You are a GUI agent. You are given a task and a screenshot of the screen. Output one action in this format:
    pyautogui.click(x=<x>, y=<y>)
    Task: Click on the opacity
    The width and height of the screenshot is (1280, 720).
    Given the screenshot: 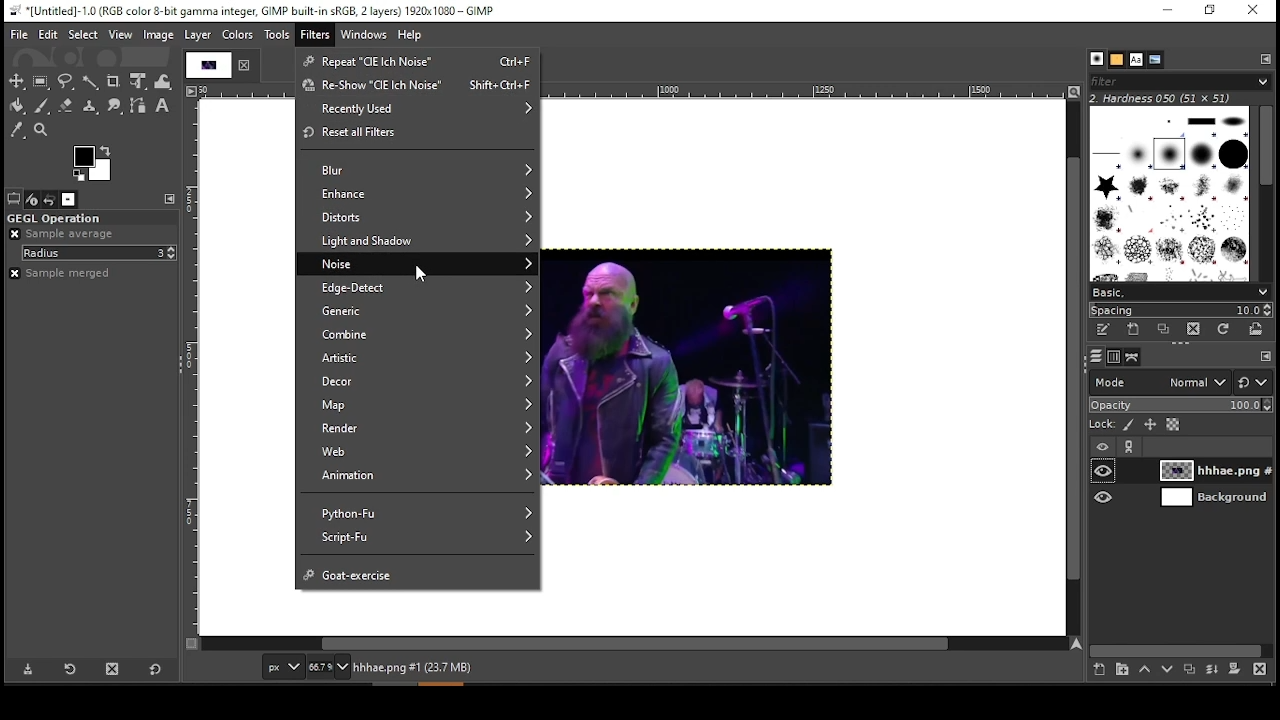 What is the action you would take?
    pyautogui.click(x=1179, y=405)
    